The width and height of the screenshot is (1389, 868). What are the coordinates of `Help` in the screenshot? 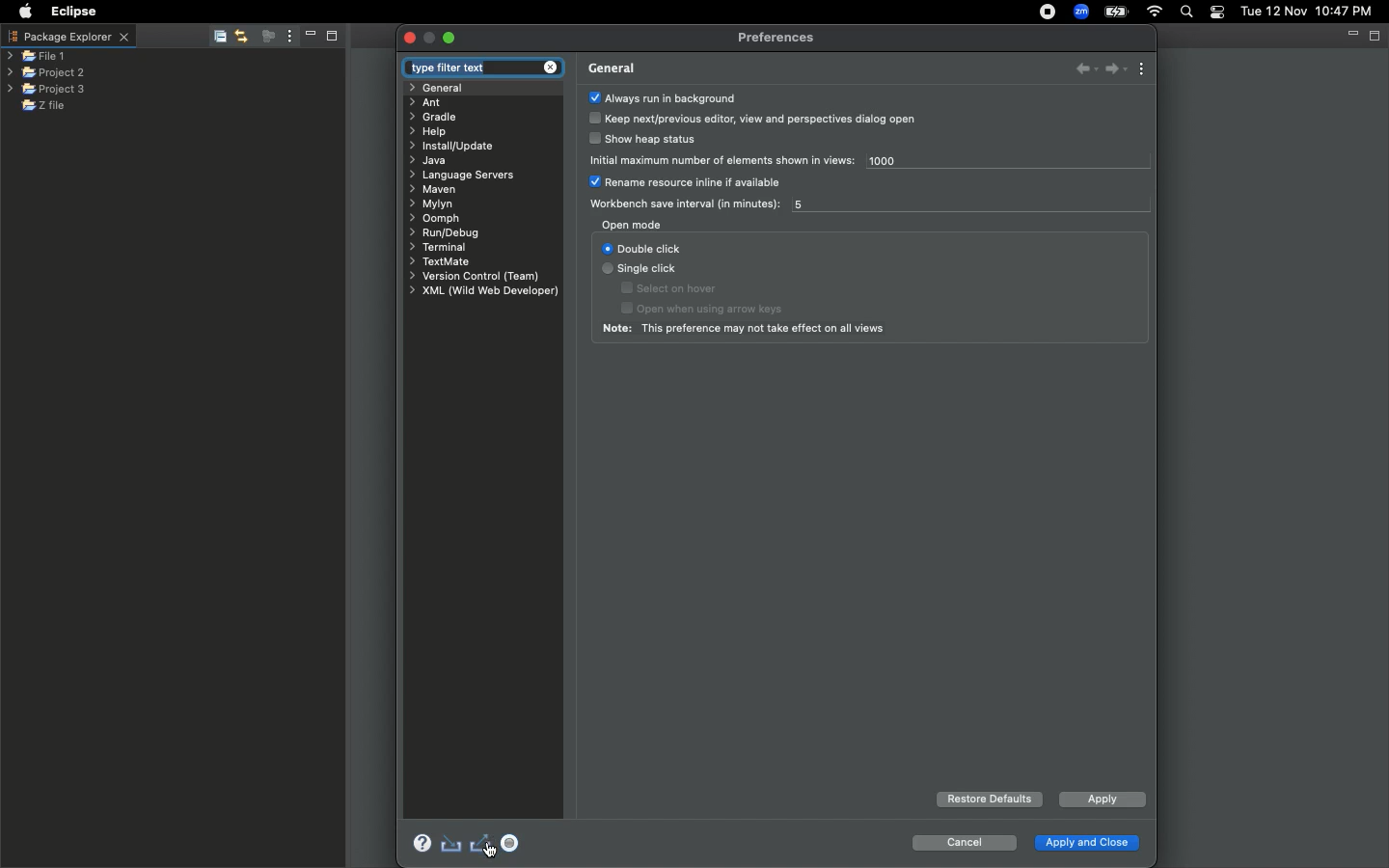 It's located at (432, 131).